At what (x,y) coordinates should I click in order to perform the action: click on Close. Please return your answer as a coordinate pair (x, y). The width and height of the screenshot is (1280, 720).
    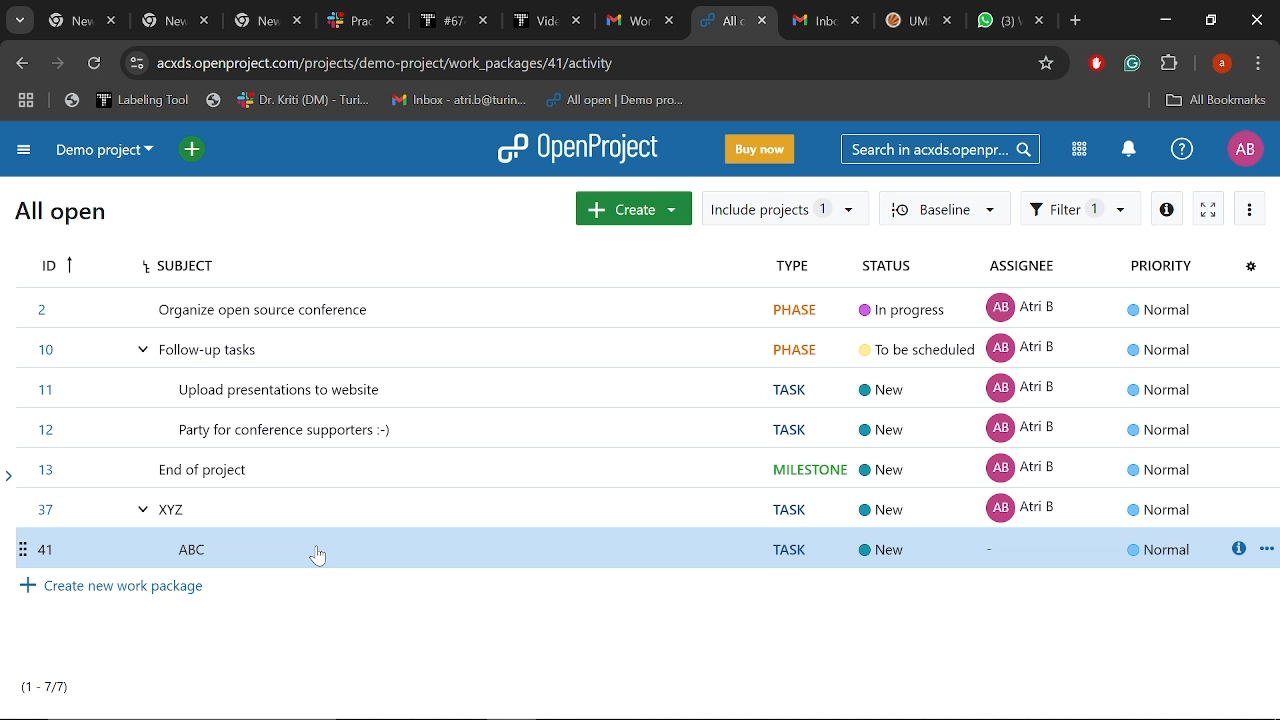
    Looking at the image, I should click on (1254, 20).